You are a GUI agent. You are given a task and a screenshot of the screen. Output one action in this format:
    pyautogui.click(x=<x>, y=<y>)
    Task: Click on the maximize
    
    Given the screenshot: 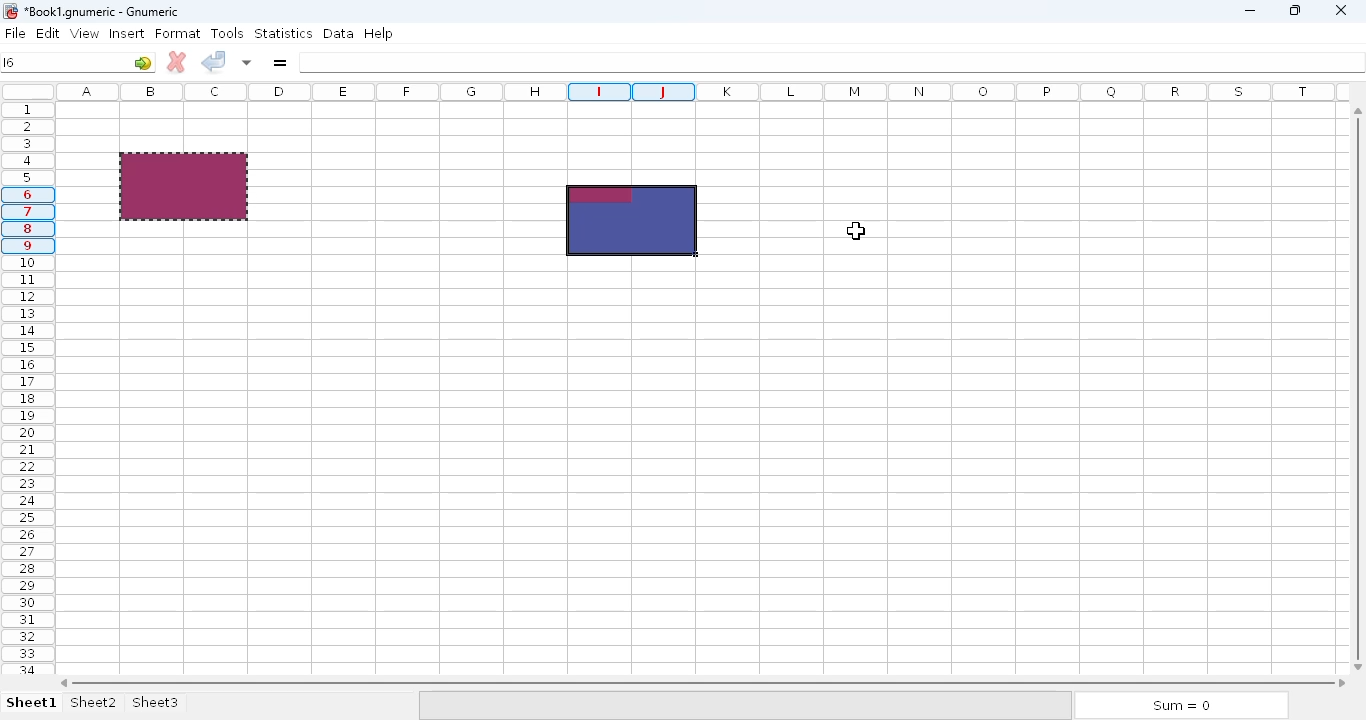 What is the action you would take?
    pyautogui.click(x=1293, y=10)
    